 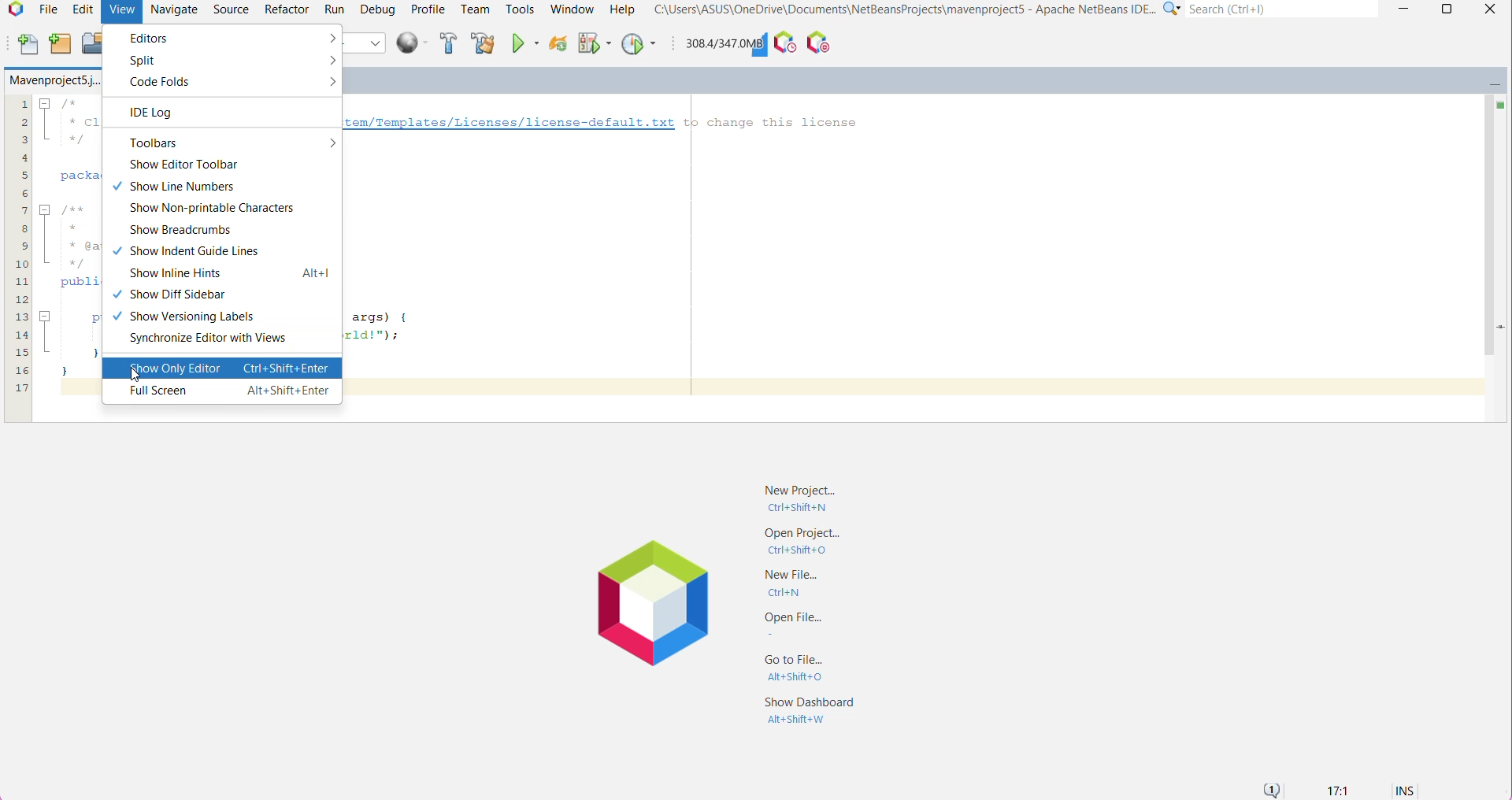 What do you see at coordinates (81, 9) in the screenshot?
I see `Edit` at bounding box center [81, 9].